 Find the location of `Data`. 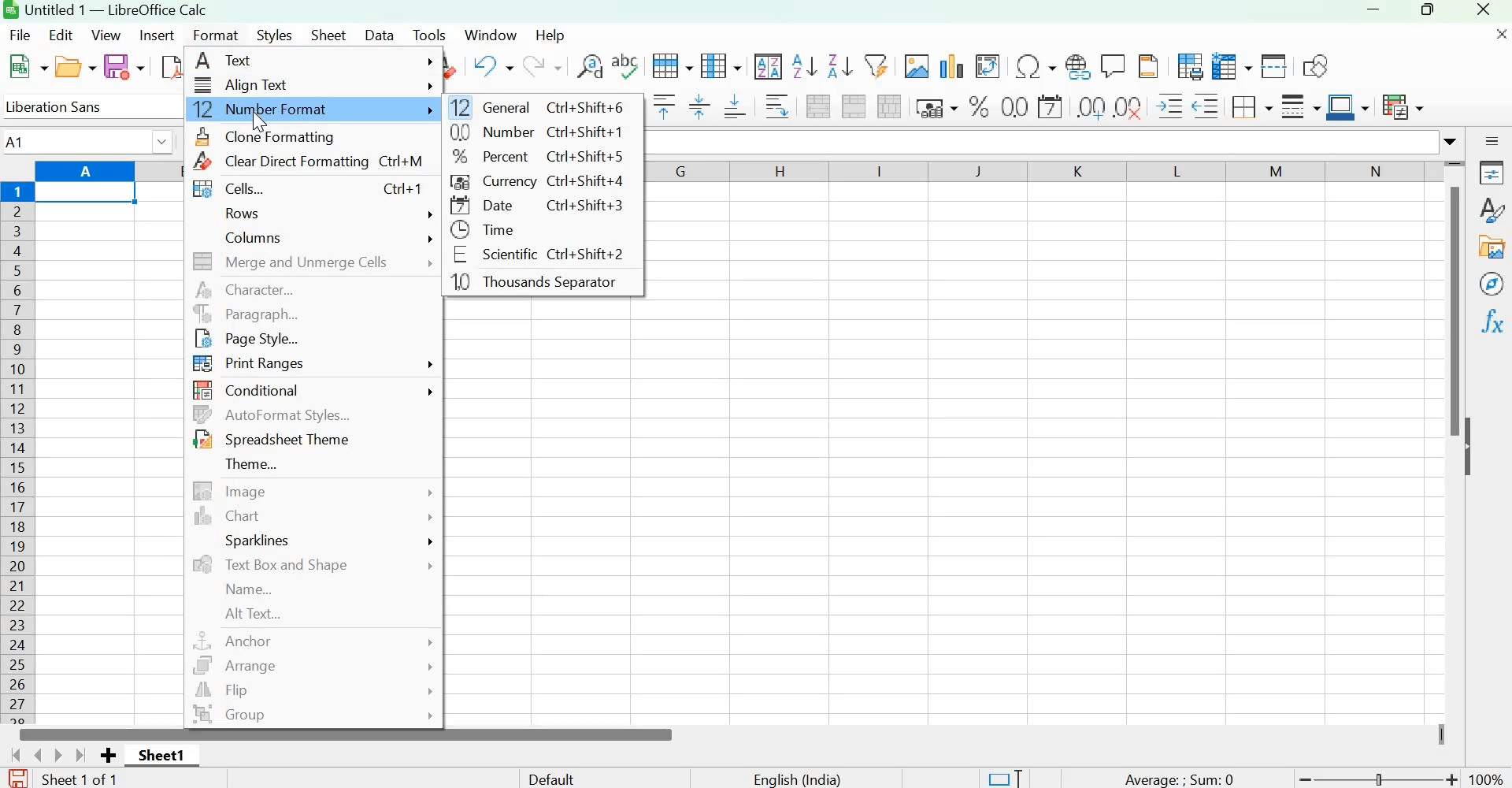

Data is located at coordinates (380, 34).